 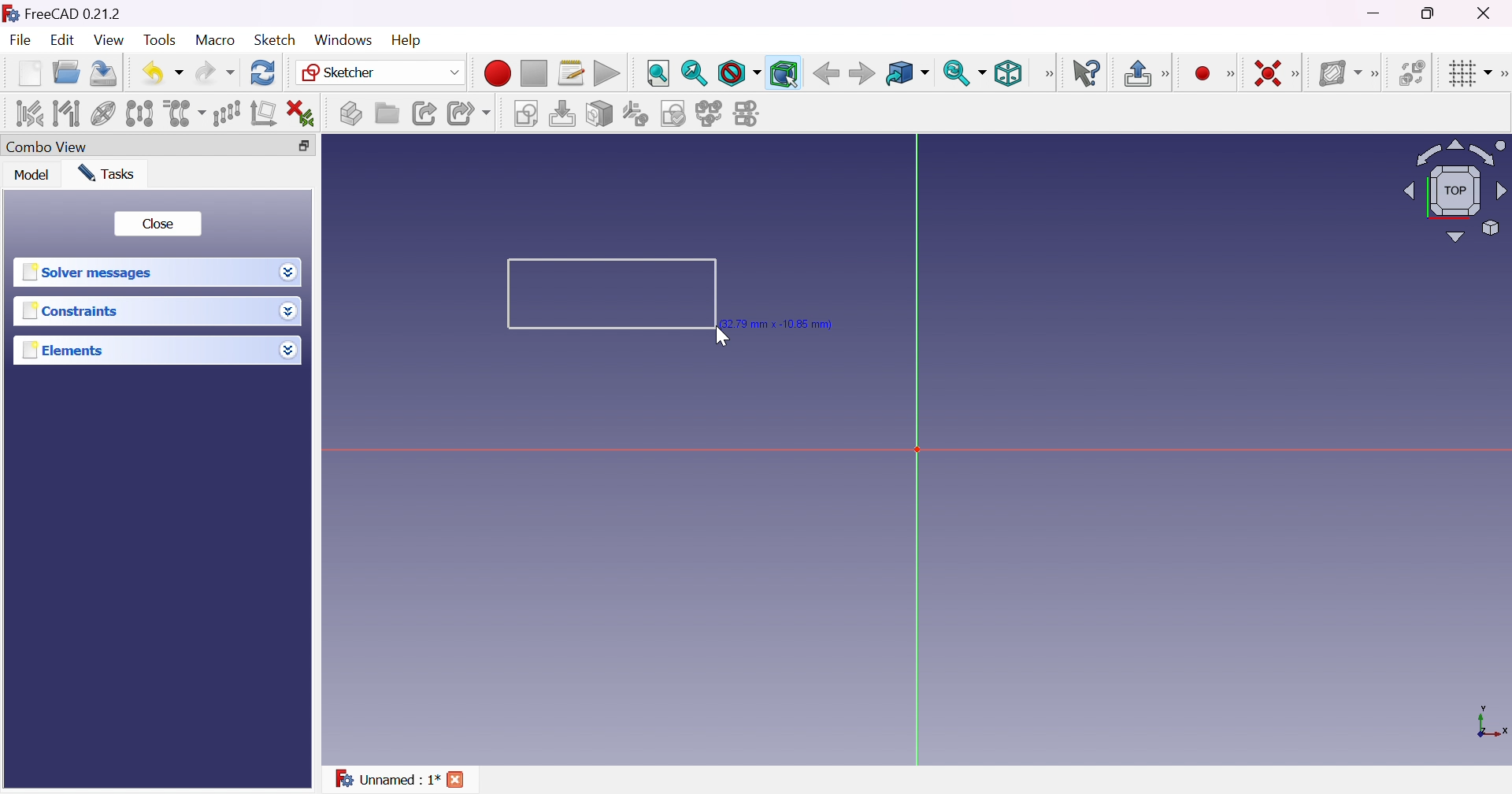 I want to click on Macros, so click(x=572, y=72).